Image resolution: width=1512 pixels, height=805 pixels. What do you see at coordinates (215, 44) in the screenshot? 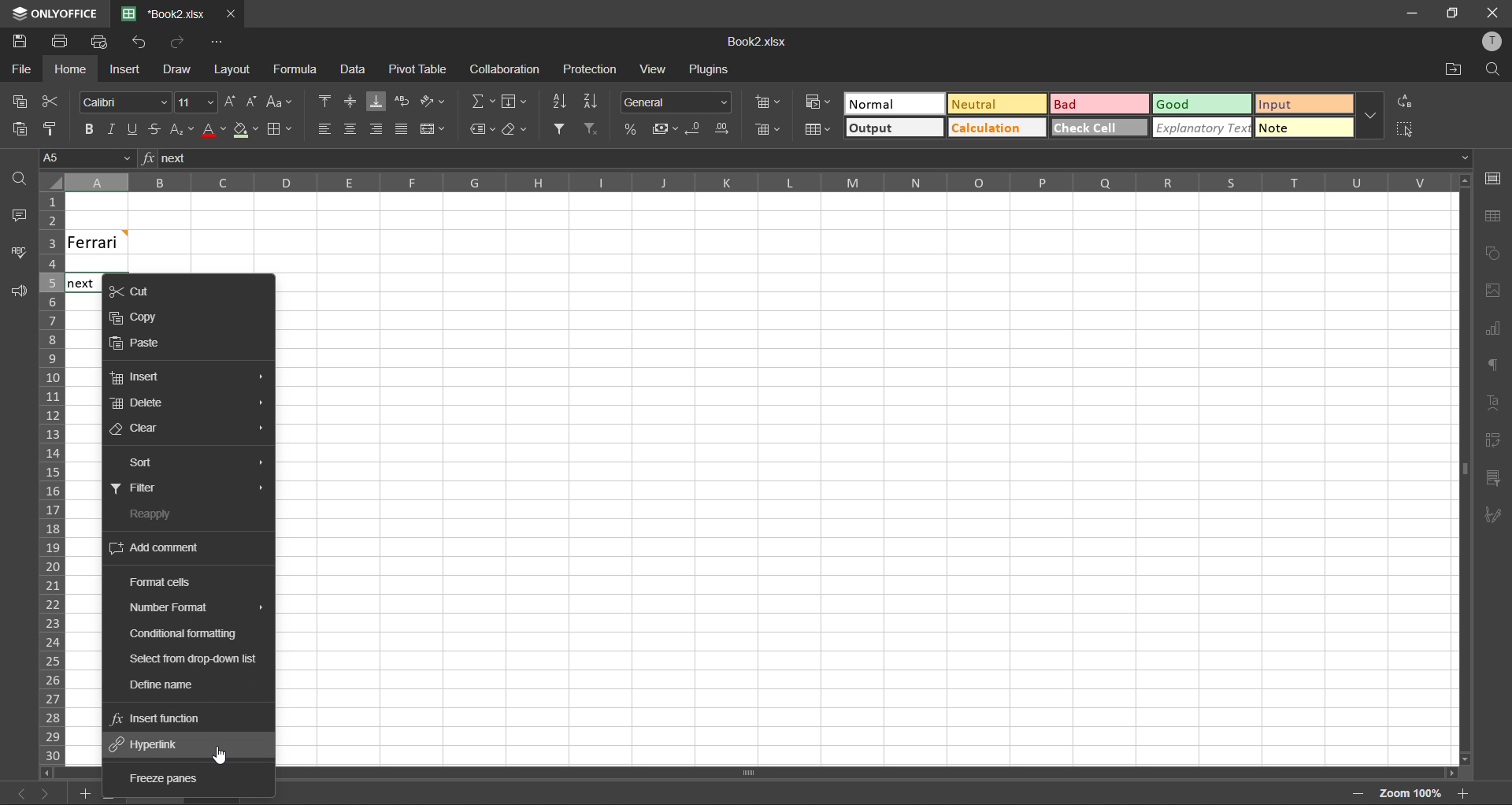
I see `customize quick access toolbar` at bounding box center [215, 44].